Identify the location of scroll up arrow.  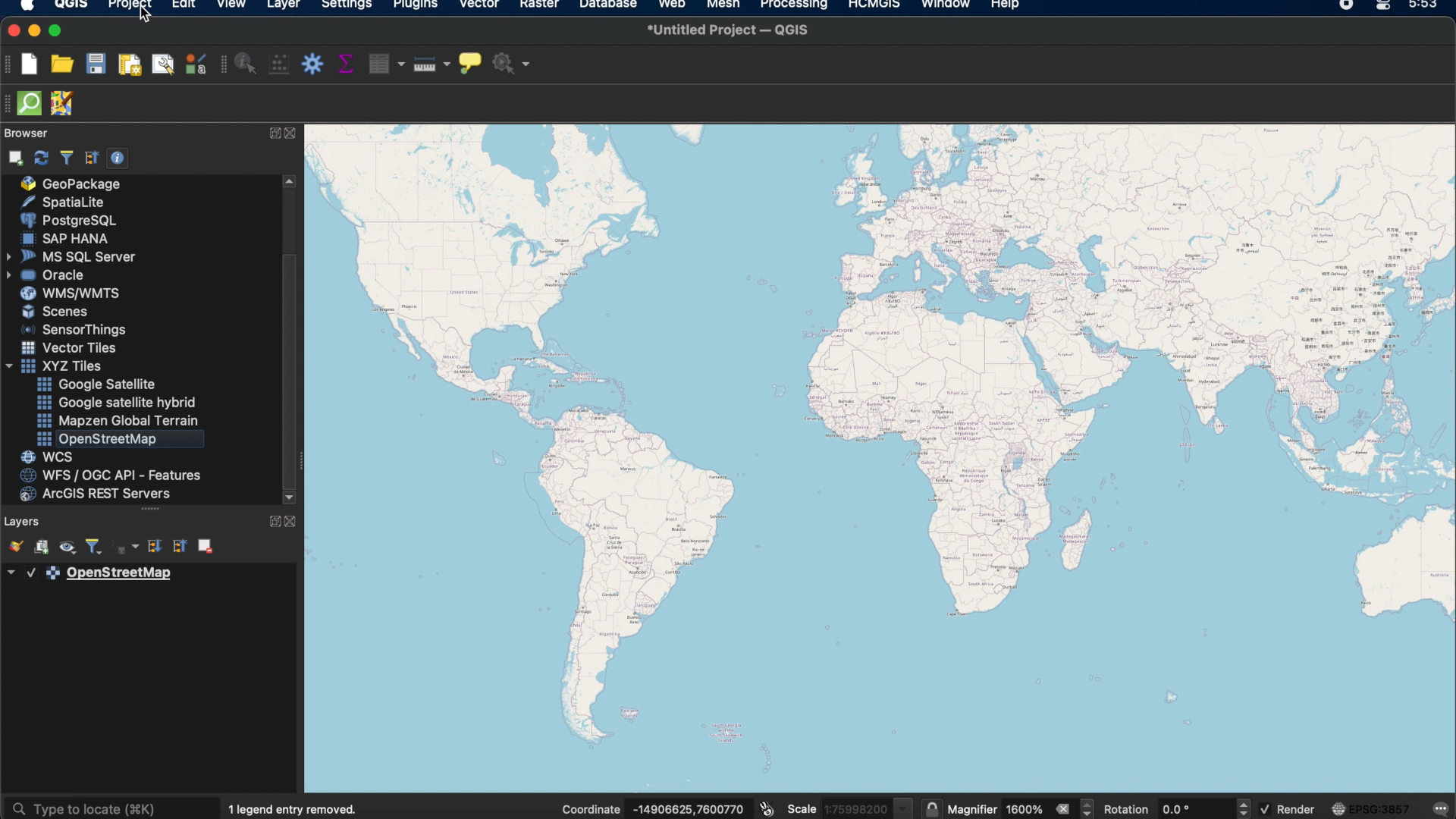
(290, 180).